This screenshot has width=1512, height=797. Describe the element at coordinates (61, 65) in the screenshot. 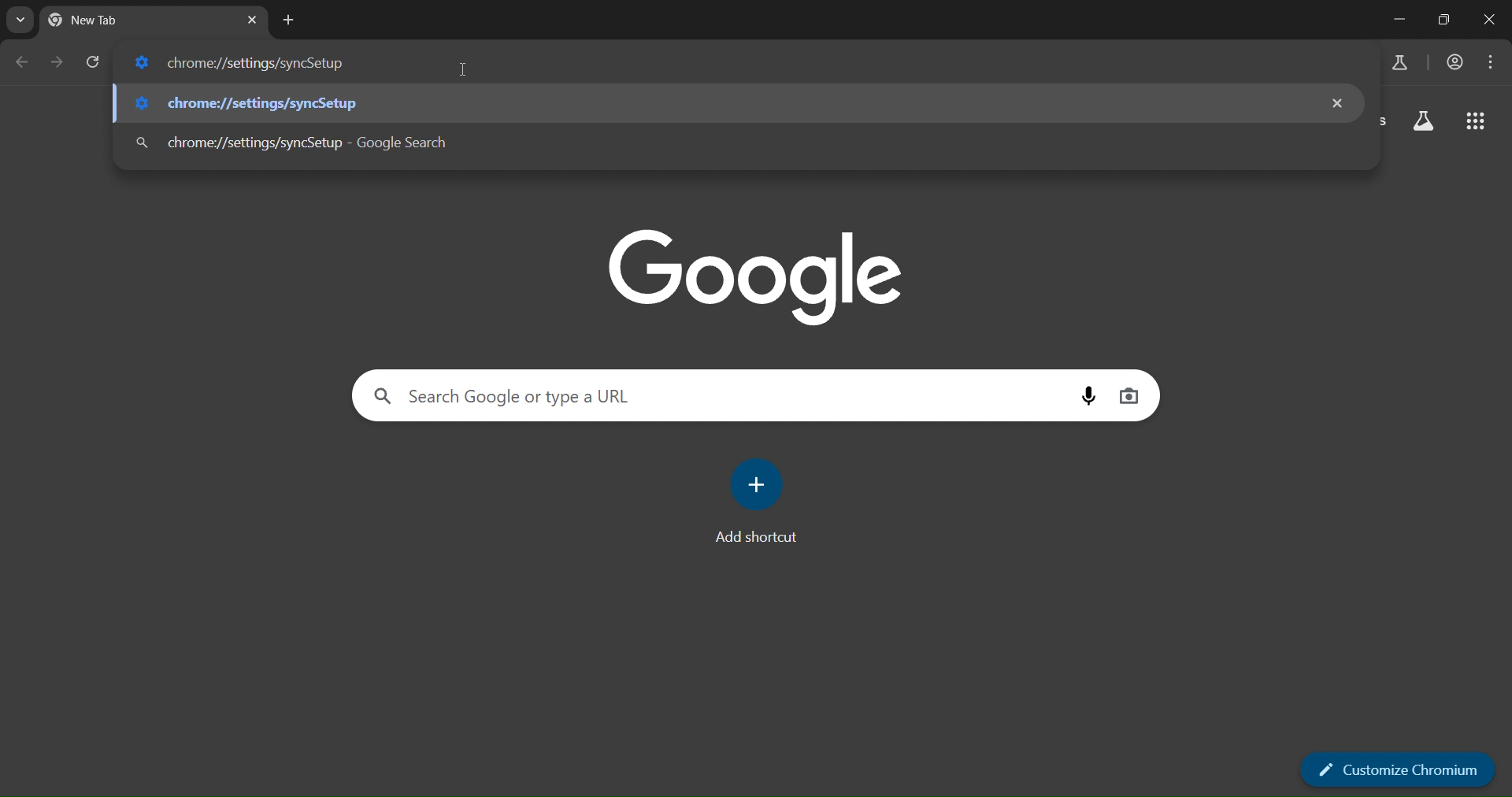

I see `go forward one page` at that location.